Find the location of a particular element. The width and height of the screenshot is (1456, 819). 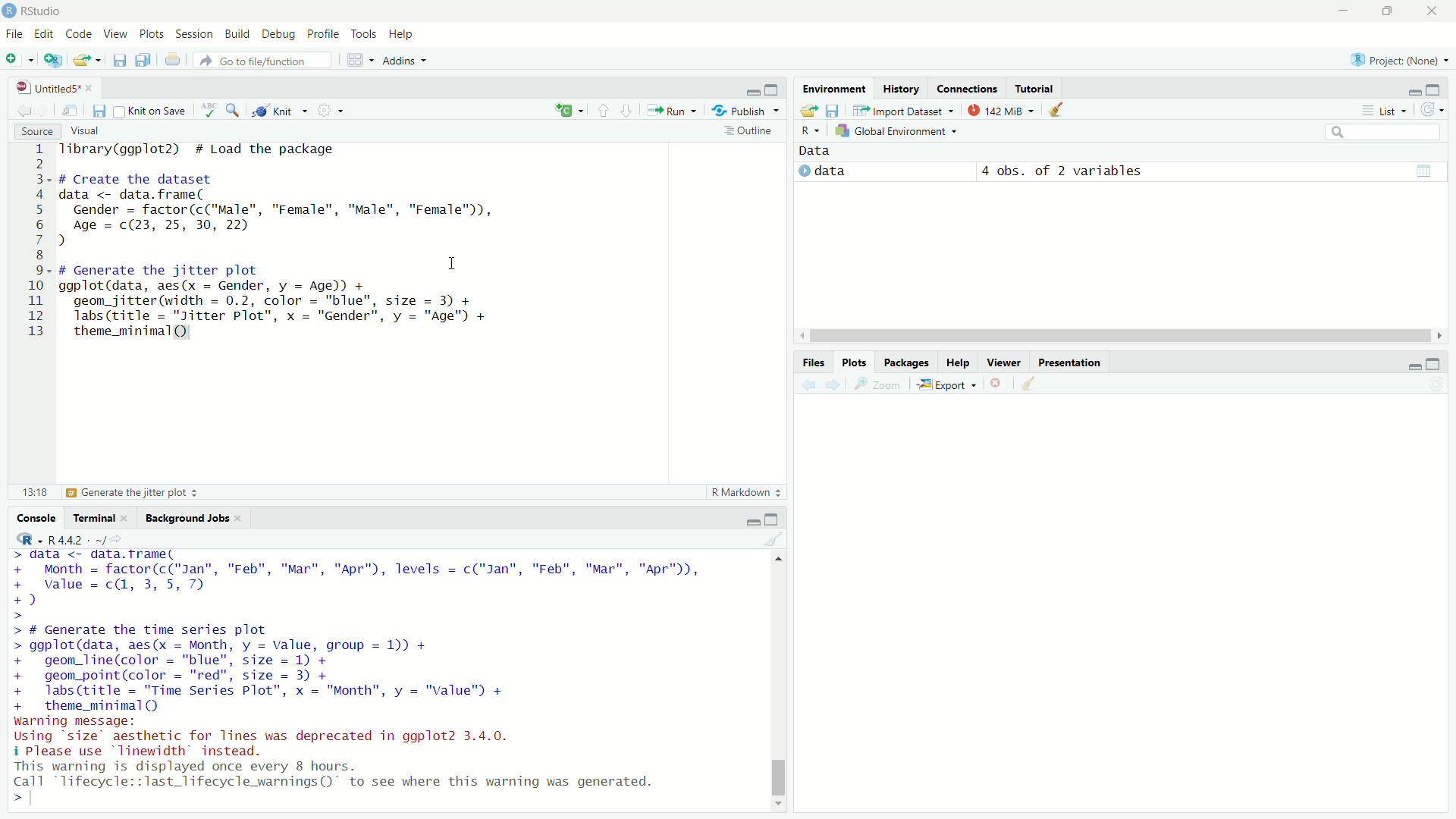

close is located at coordinates (129, 517).